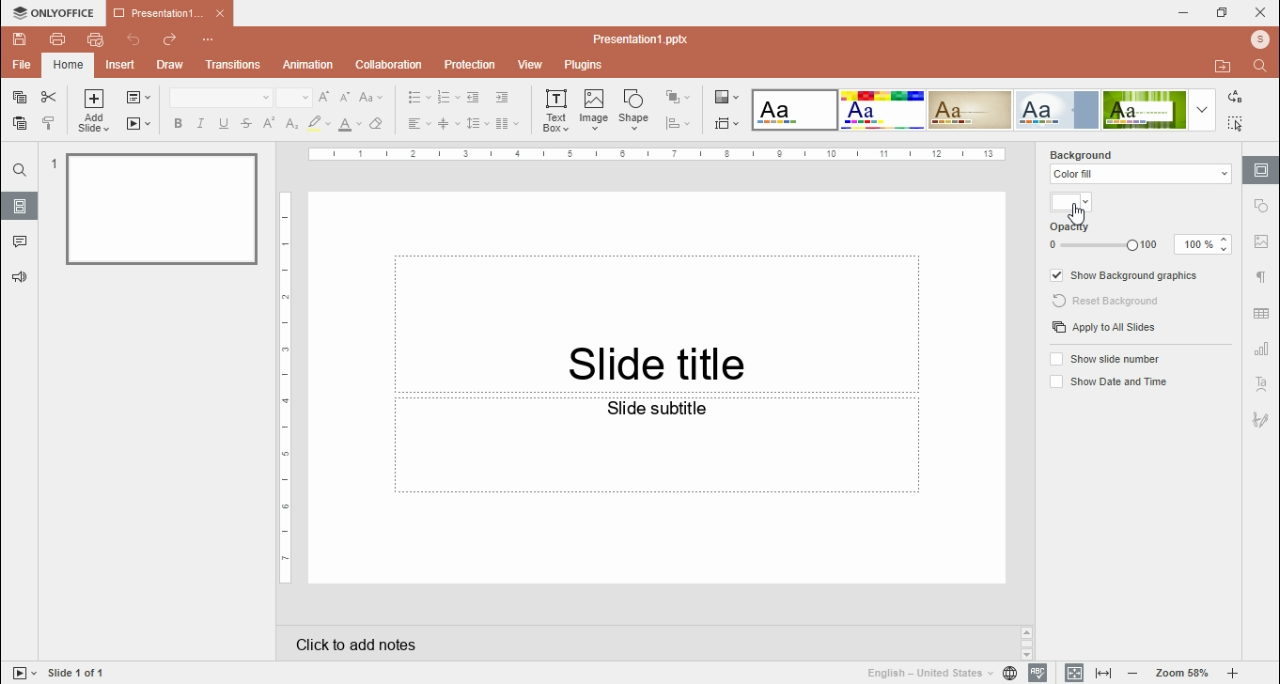 This screenshot has width=1280, height=684. Describe the element at coordinates (1260, 13) in the screenshot. I see `close window` at that location.